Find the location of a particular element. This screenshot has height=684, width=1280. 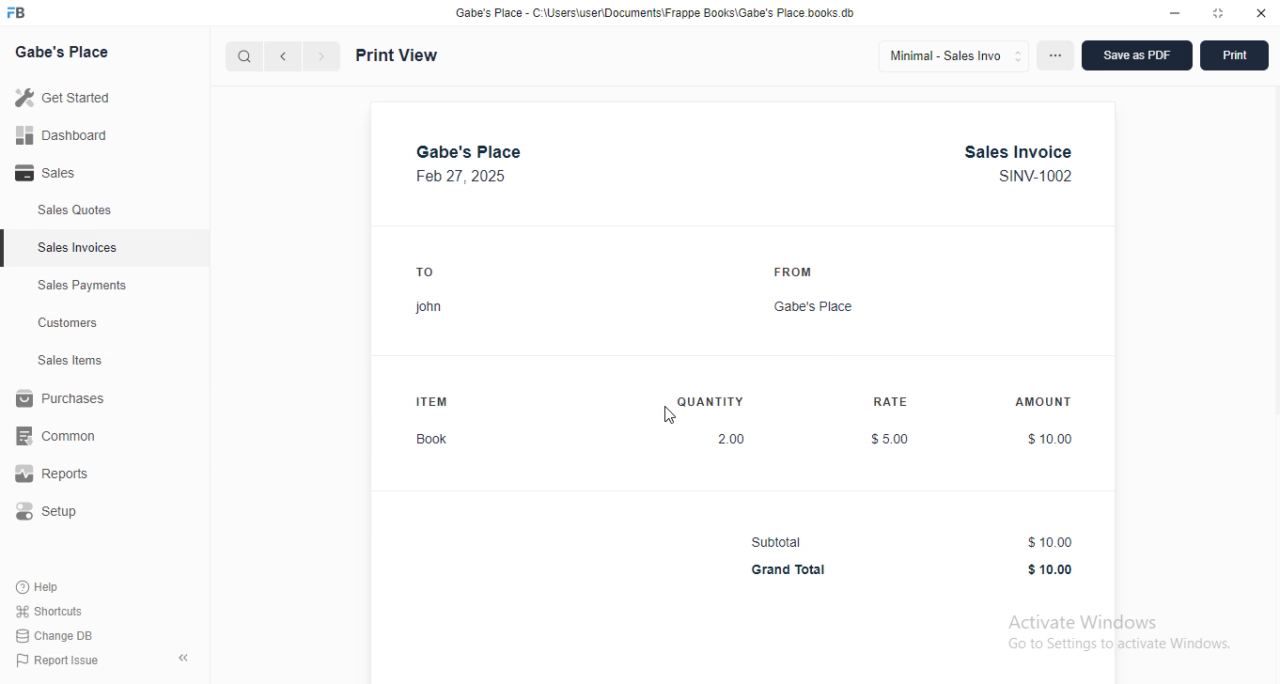

toggle maximize is located at coordinates (1219, 12).